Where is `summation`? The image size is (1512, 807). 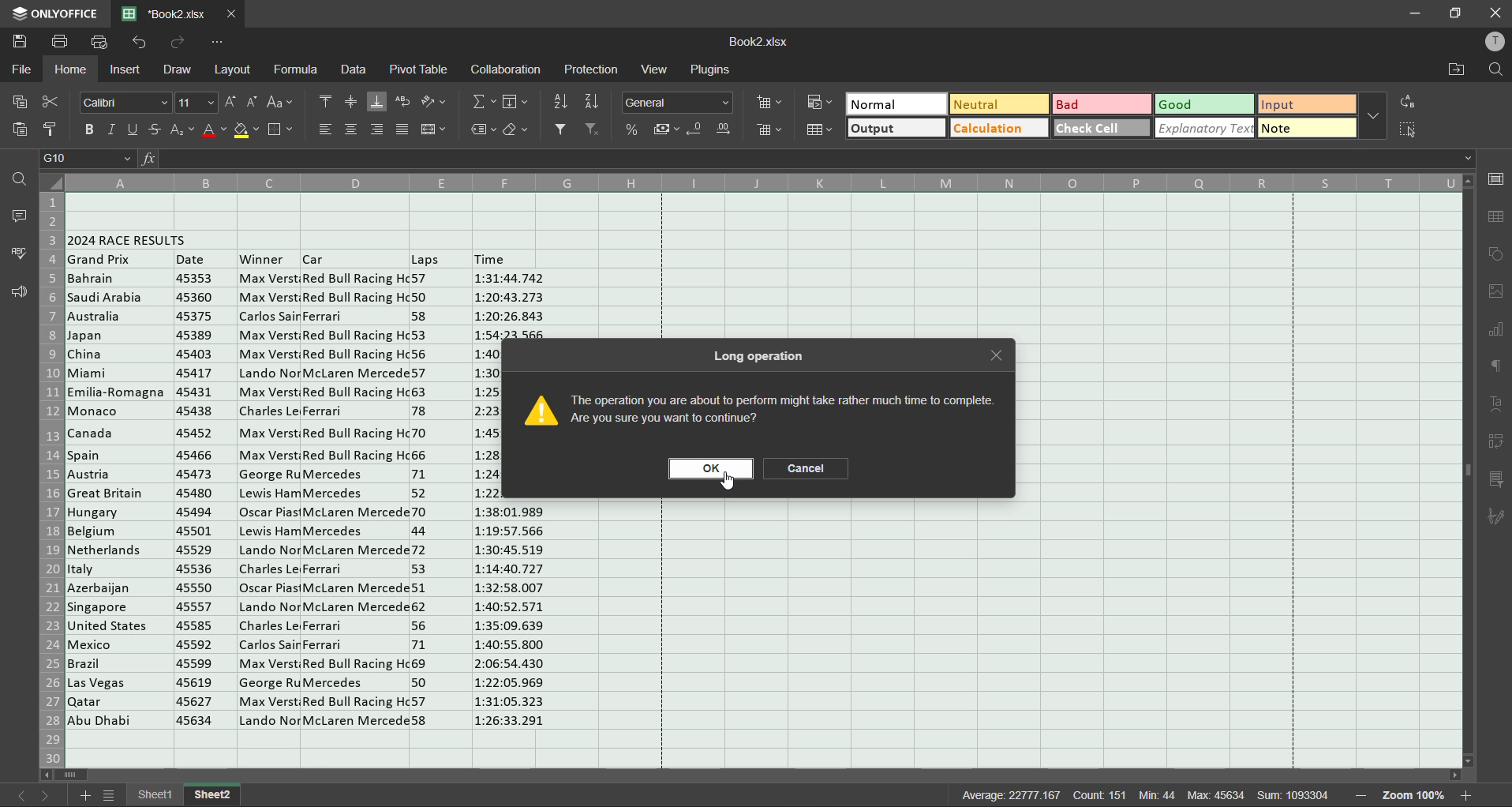 summation is located at coordinates (483, 102).